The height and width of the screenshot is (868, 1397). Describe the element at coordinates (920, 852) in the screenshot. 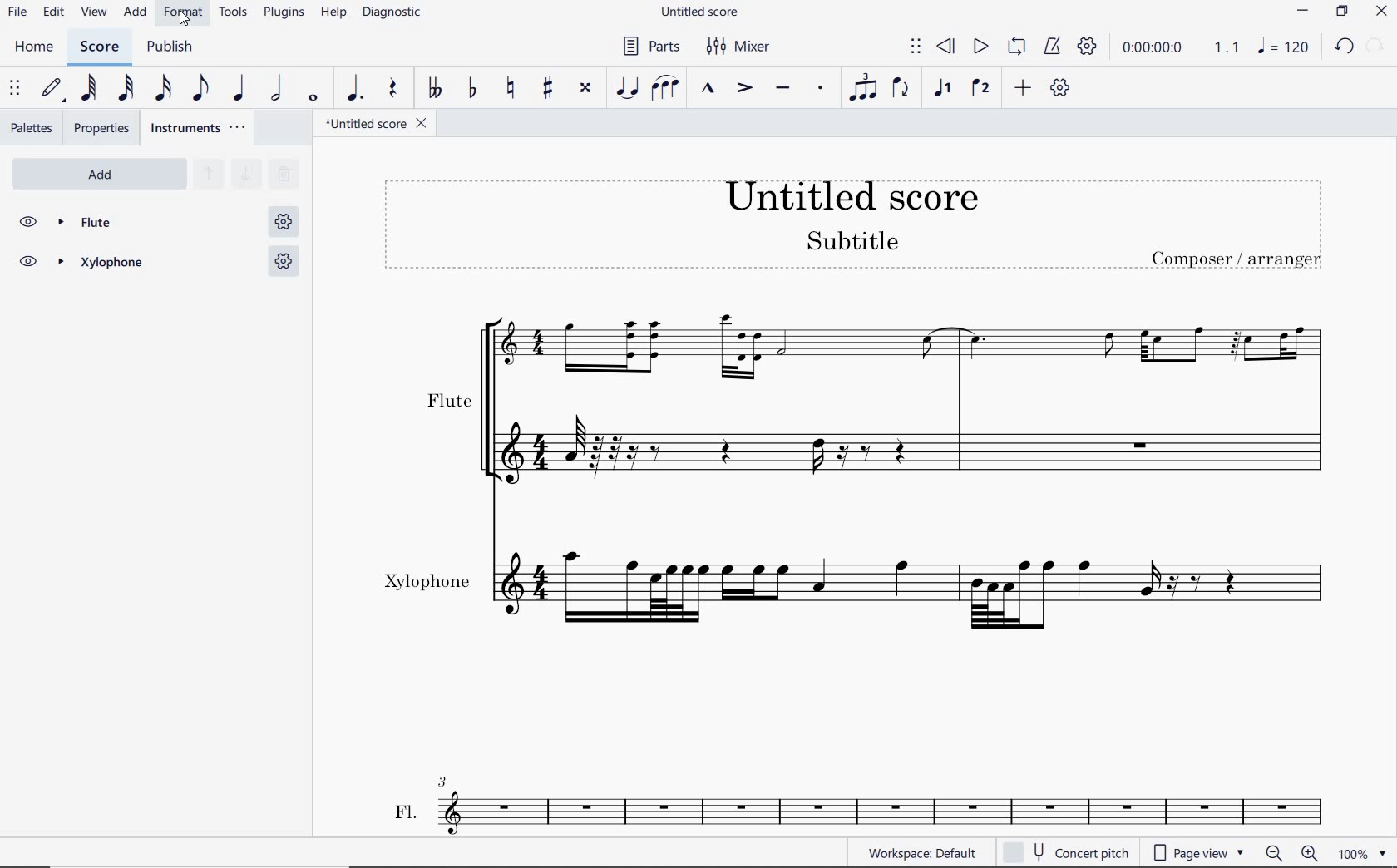

I see `WORKSPACE: DEFAULT` at that location.